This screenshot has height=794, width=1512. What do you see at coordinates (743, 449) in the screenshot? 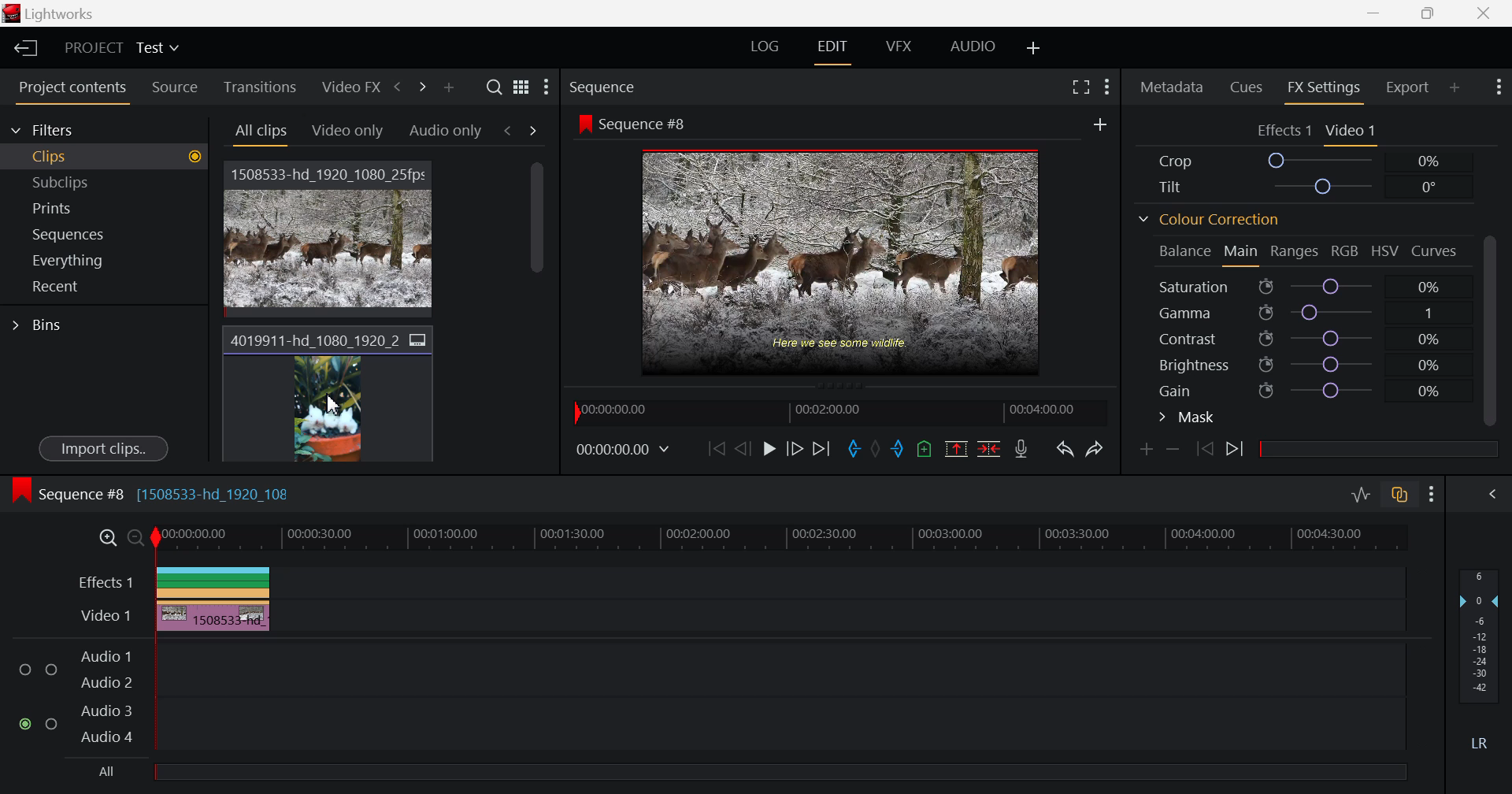
I see `Go Back` at bounding box center [743, 449].